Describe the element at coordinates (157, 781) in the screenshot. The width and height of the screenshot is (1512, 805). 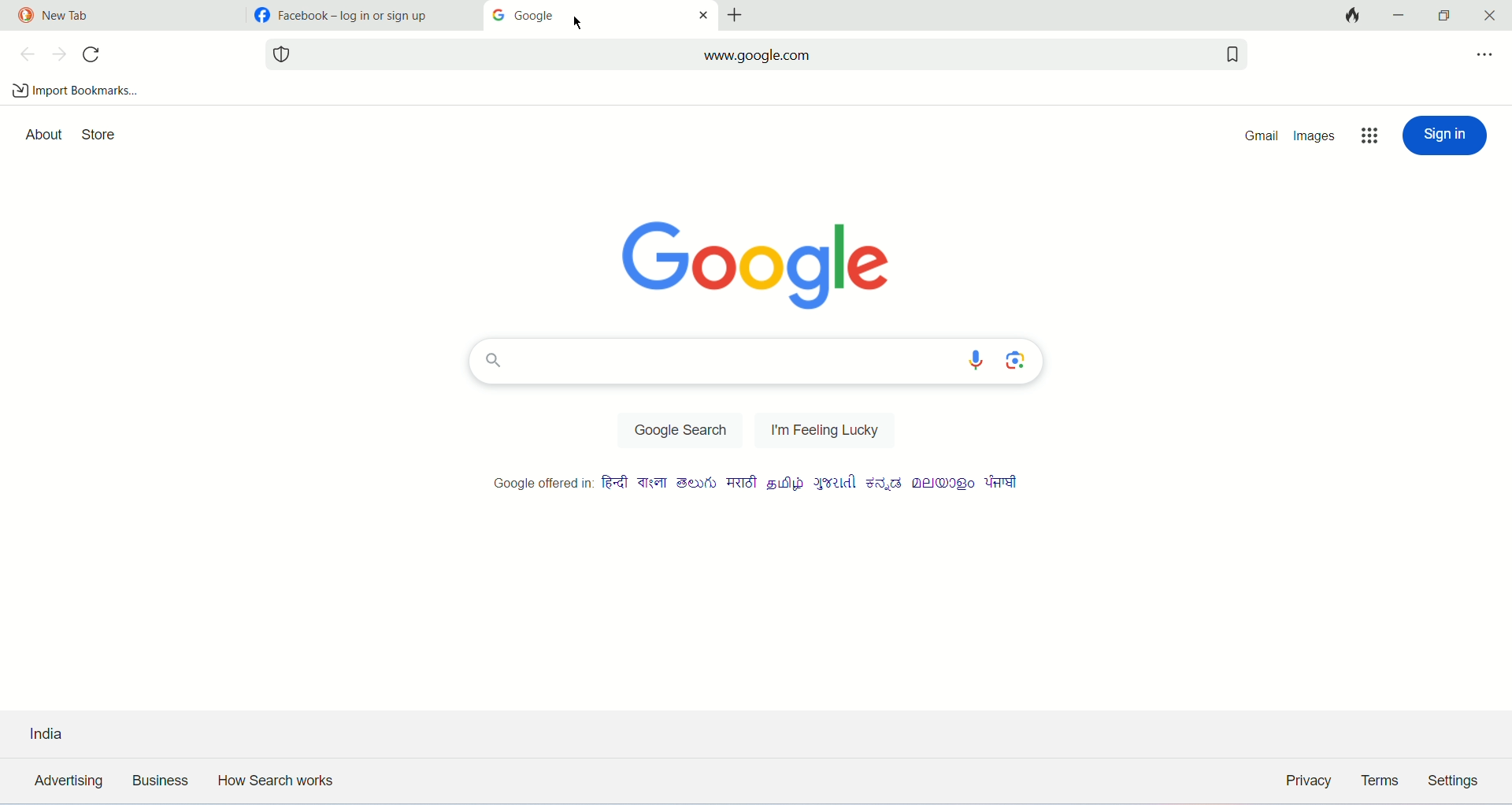
I see `business` at that location.